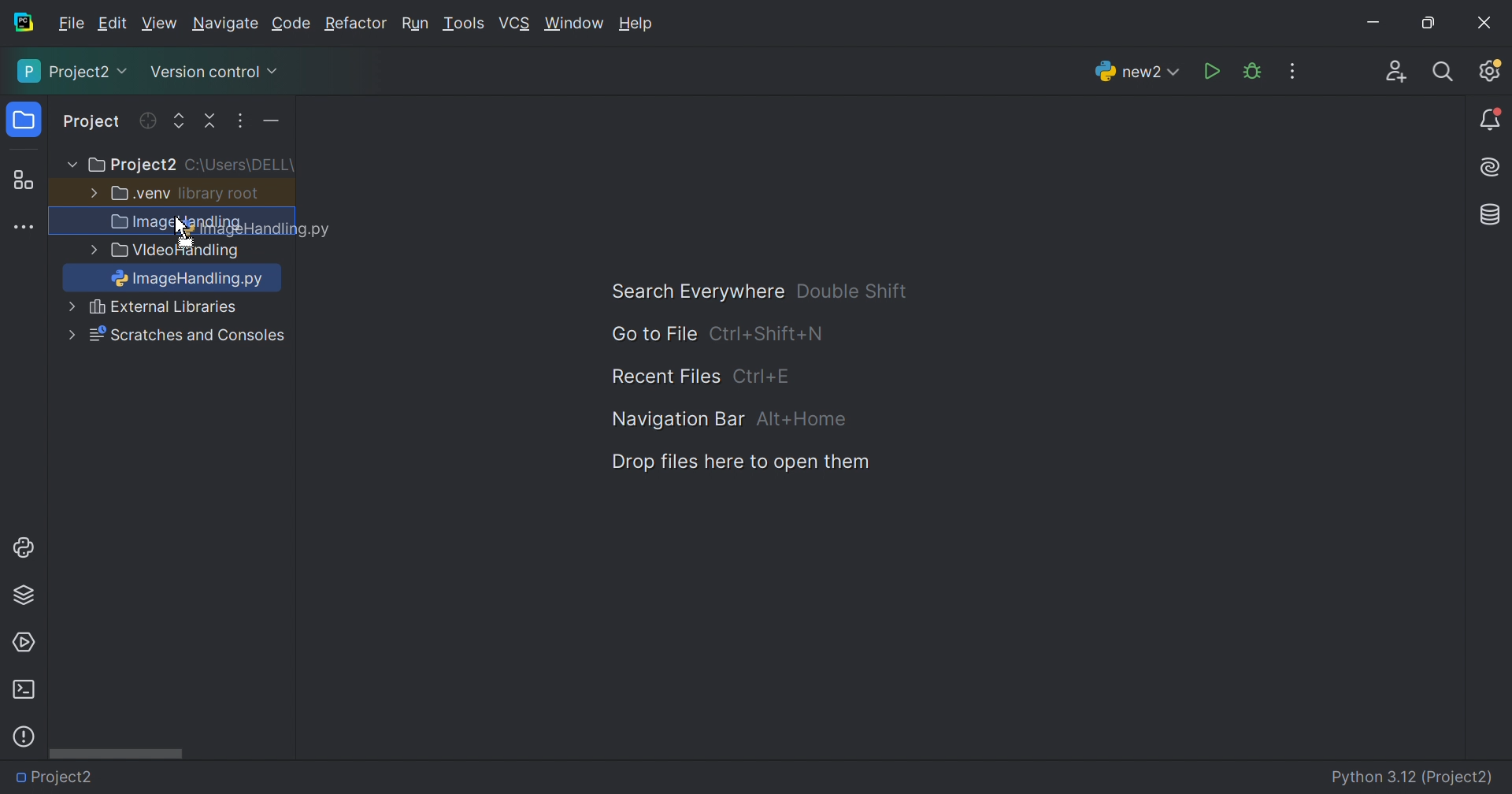  What do you see at coordinates (69, 308) in the screenshot?
I see `more` at bounding box center [69, 308].